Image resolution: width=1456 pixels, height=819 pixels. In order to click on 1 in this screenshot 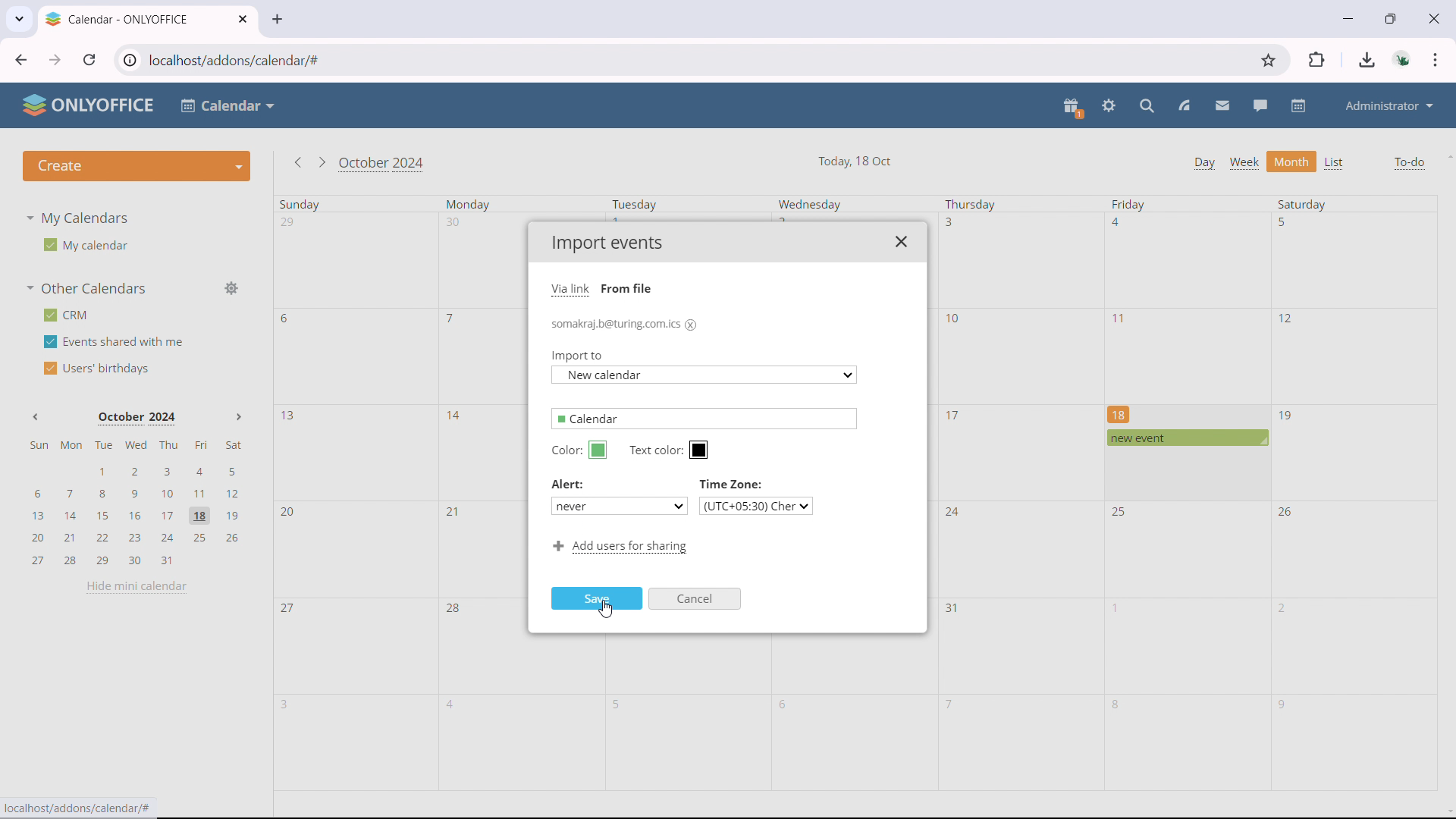, I will do `click(1118, 608)`.